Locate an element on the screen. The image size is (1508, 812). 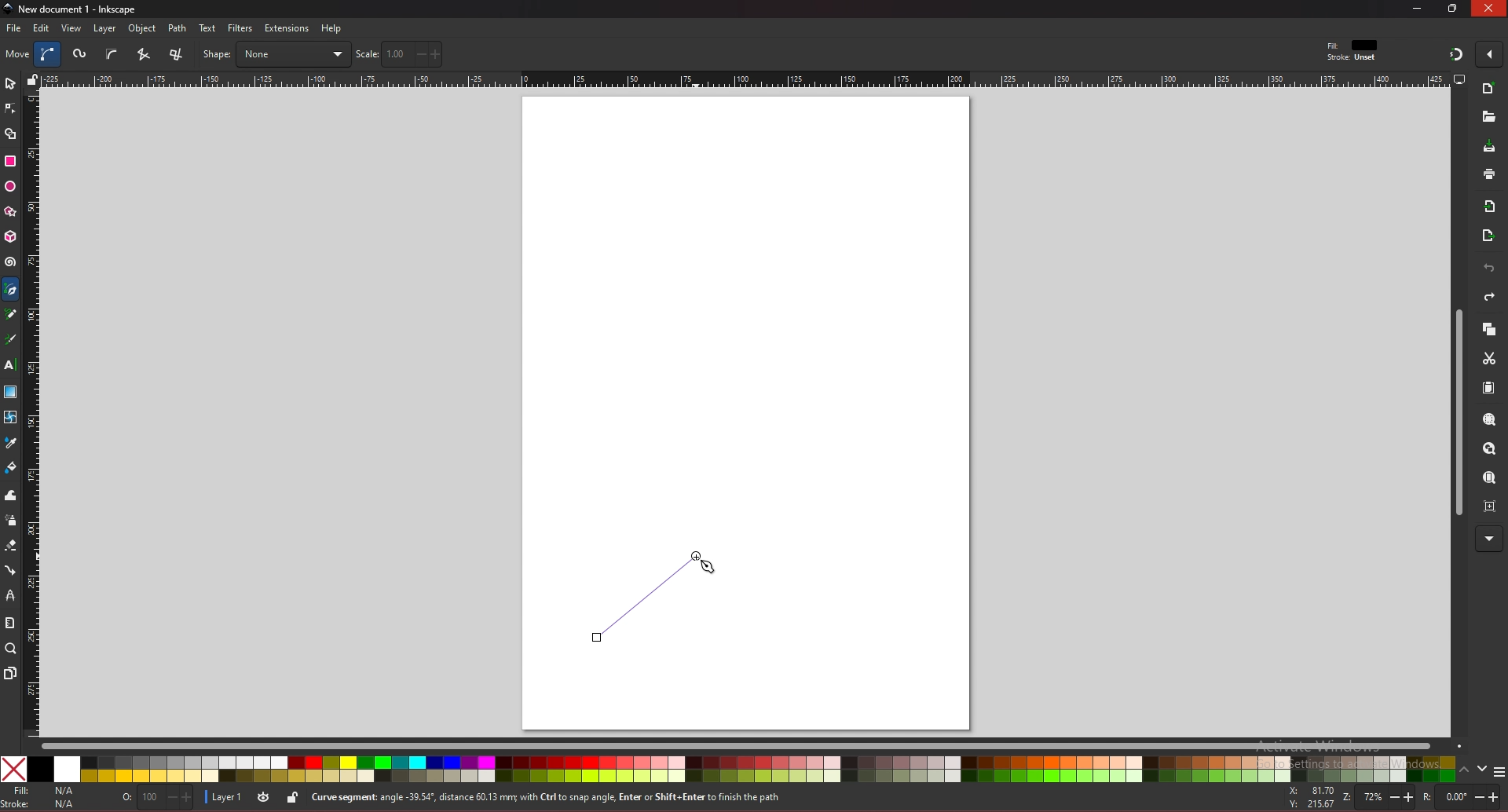
enable snapping is located at coordinates (1489, 53).